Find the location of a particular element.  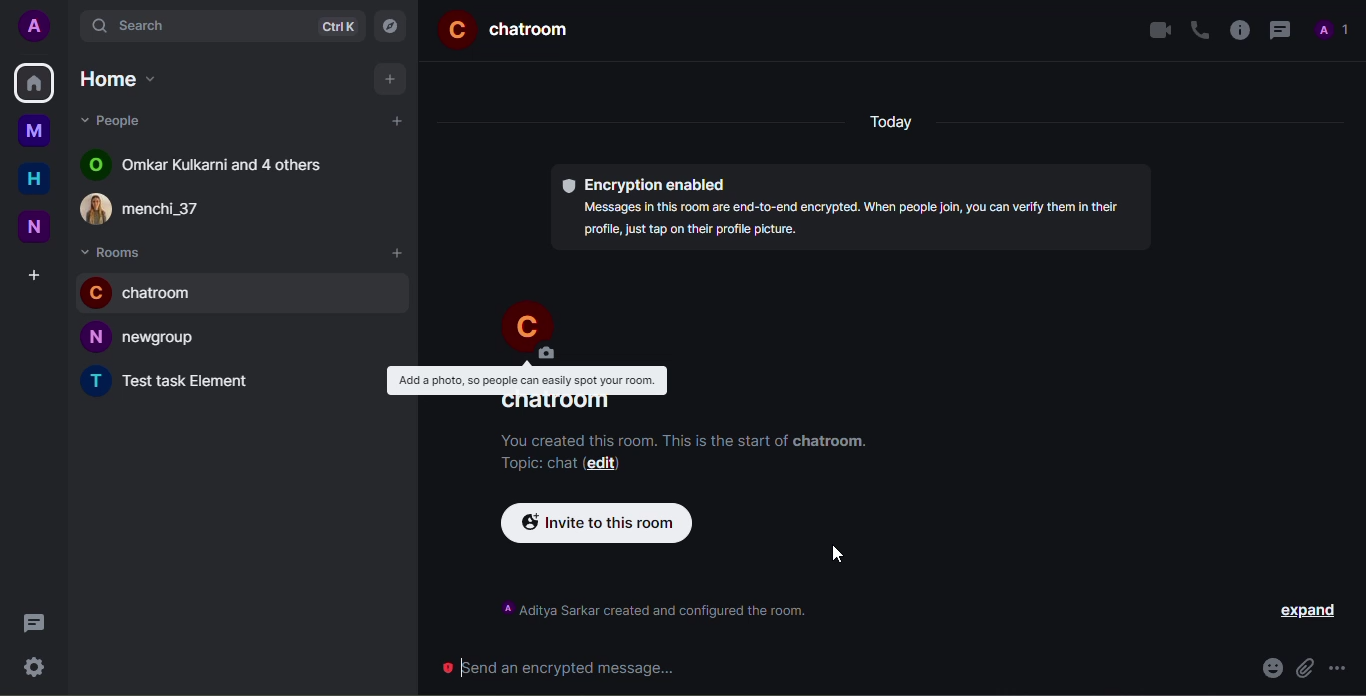

quick settings is located at coordinates (35, 668).